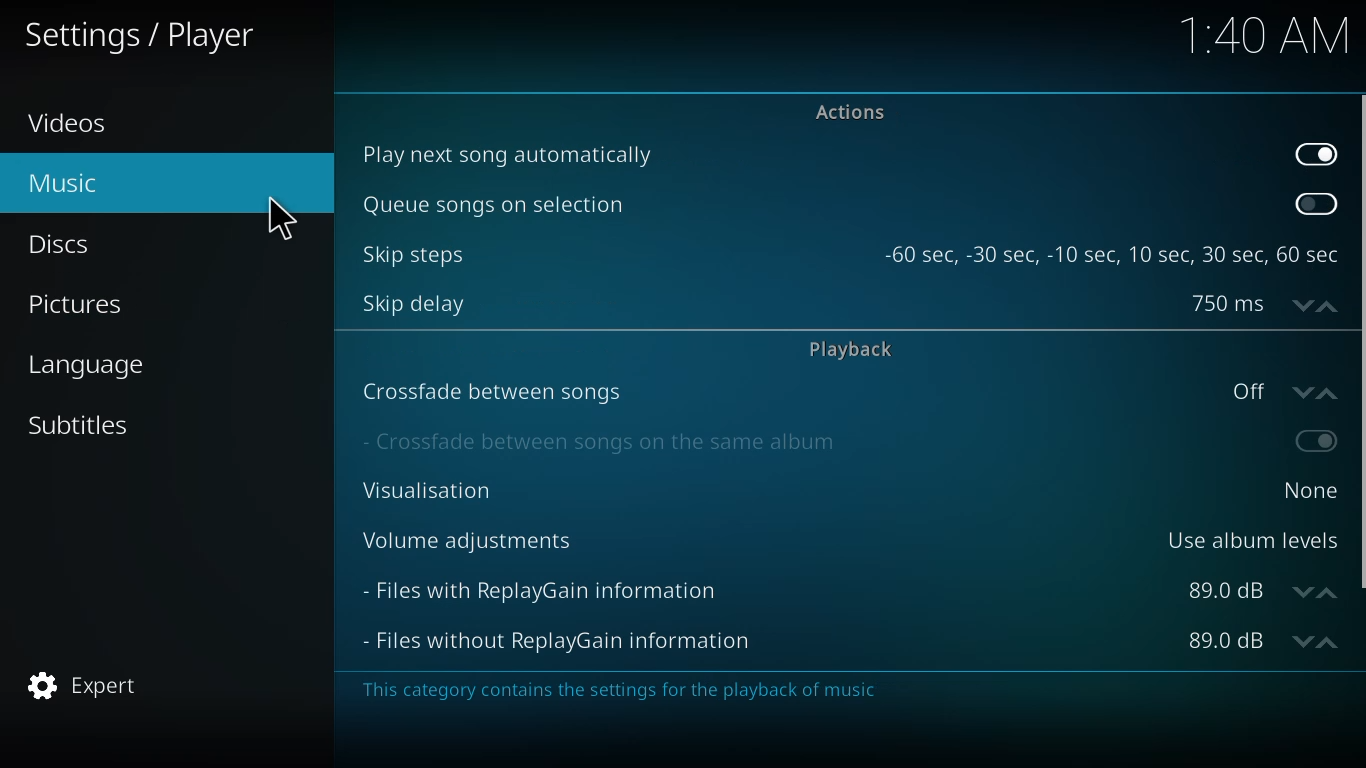 This screenshot has height=768, width=1366. Describe the element at coordinates (411, 254) in the screenshot. I see `skip steps` at that location.